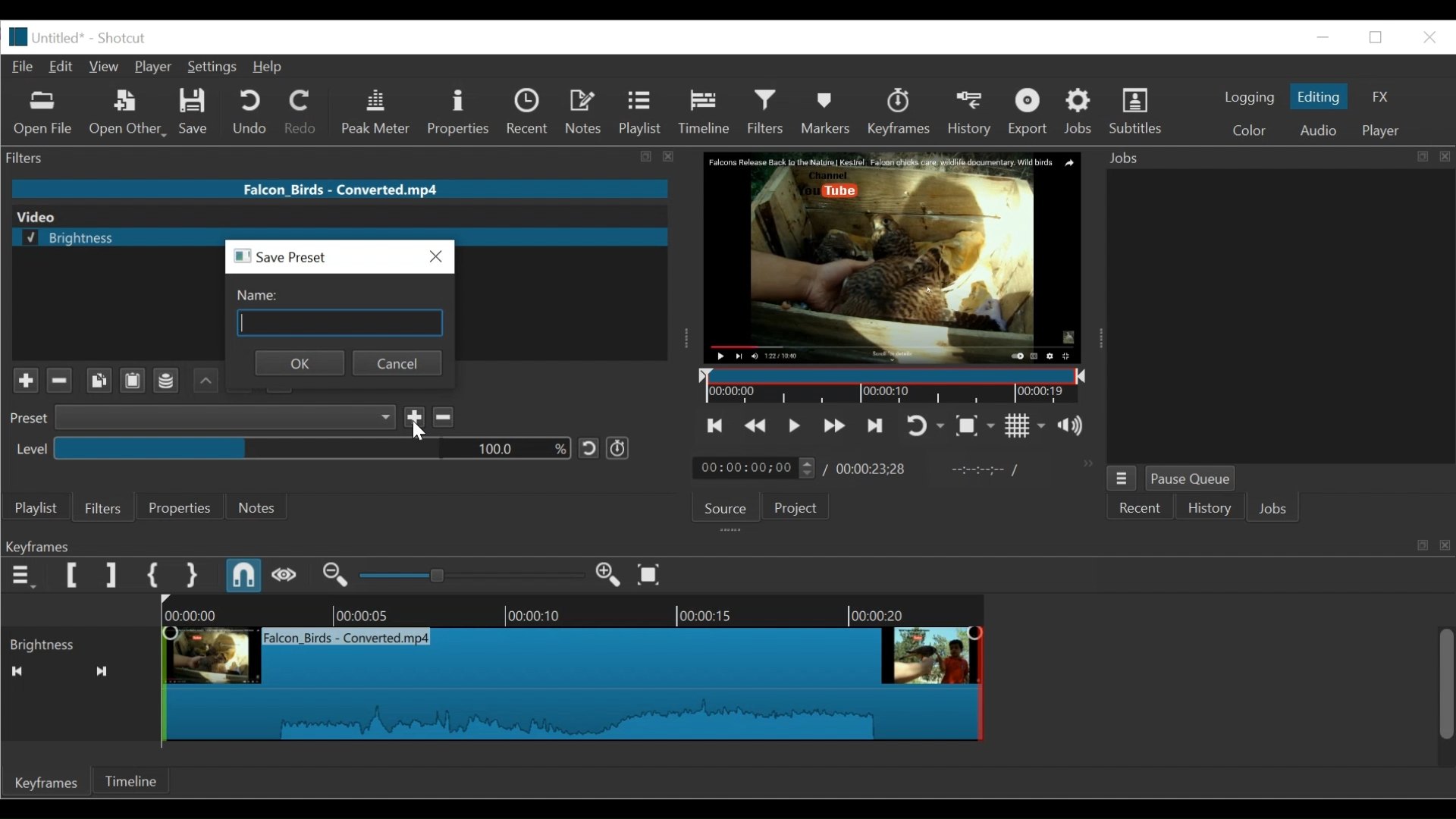 The width and height of the screenshot is (1456, 819). I want to click on In point, so click(977, 470).